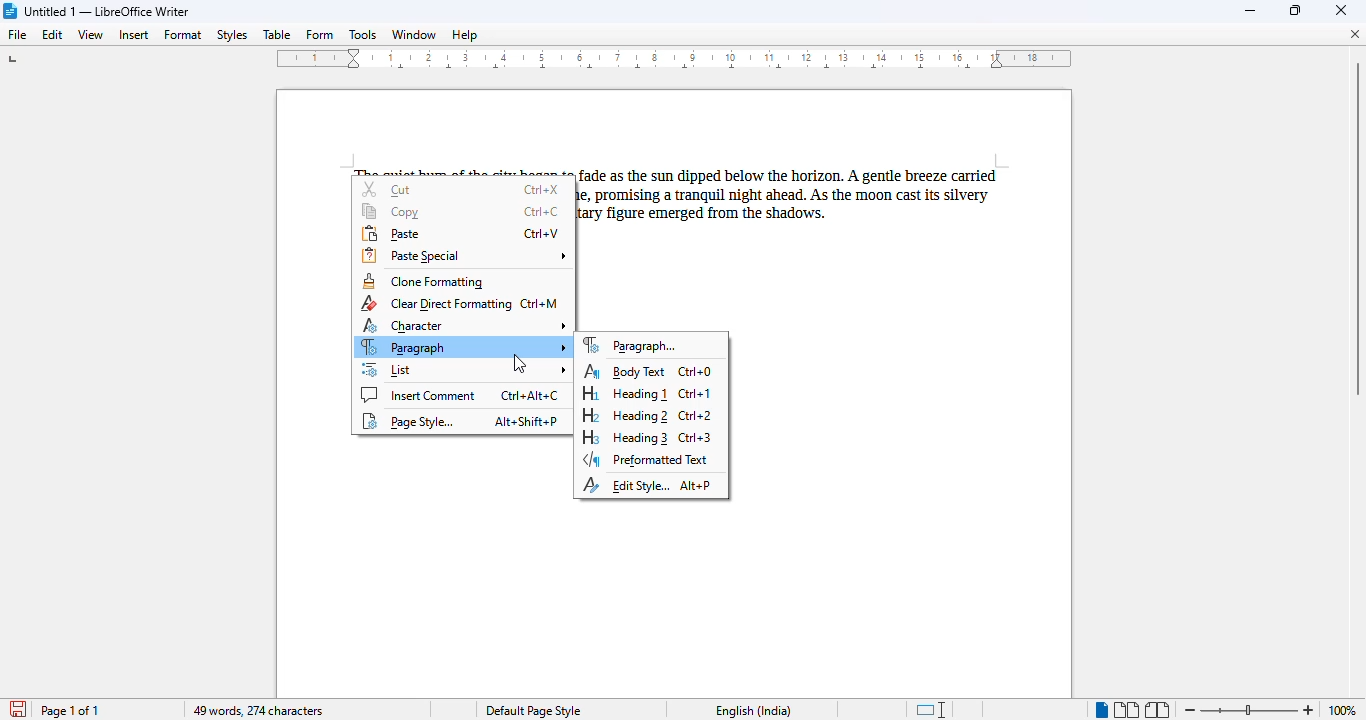  Describe the element at coordinates (459, 421) in the screenshot. I see `page style` at that location.